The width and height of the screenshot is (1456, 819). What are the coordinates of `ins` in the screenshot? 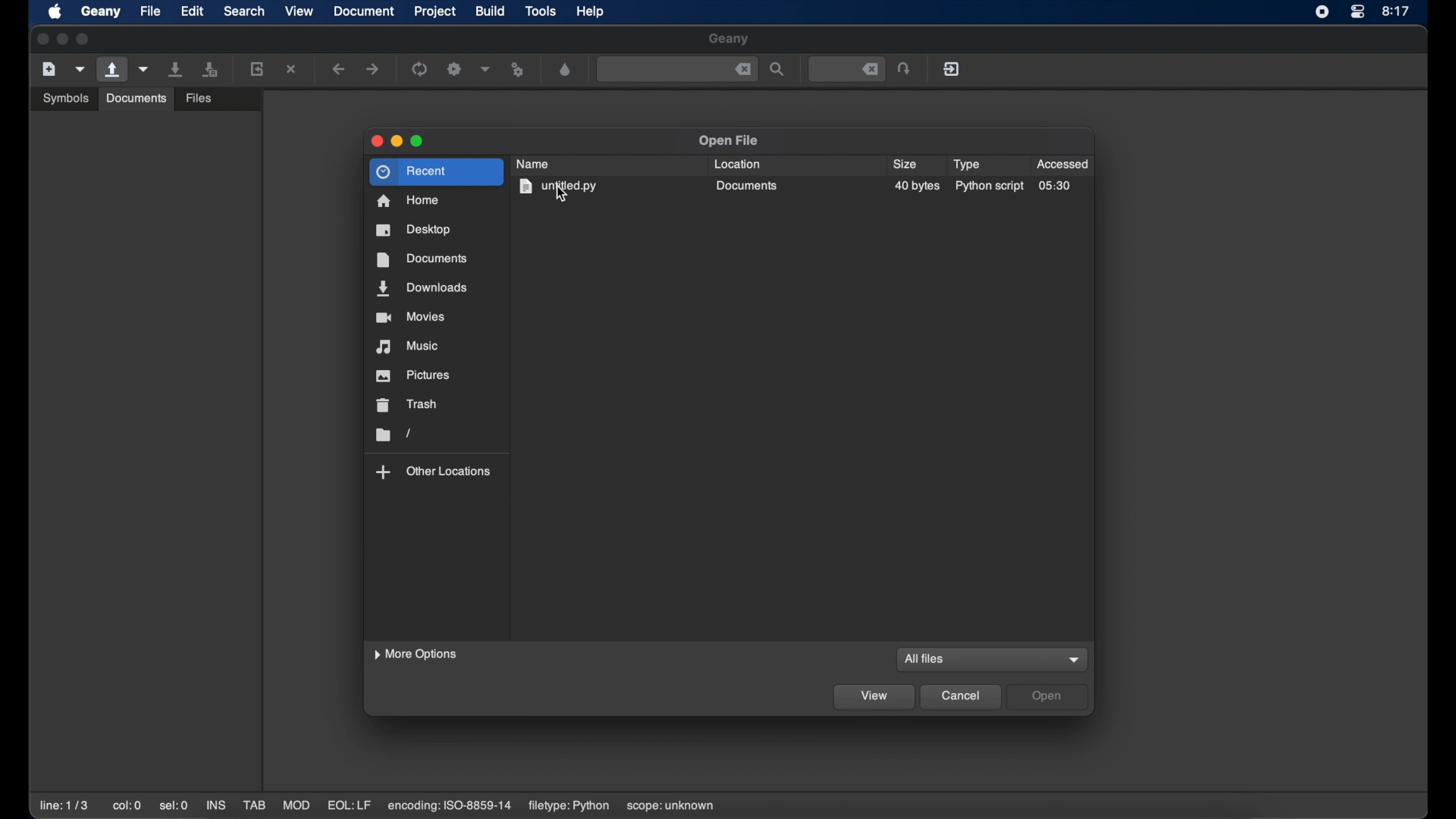 It's located at (215, 805).